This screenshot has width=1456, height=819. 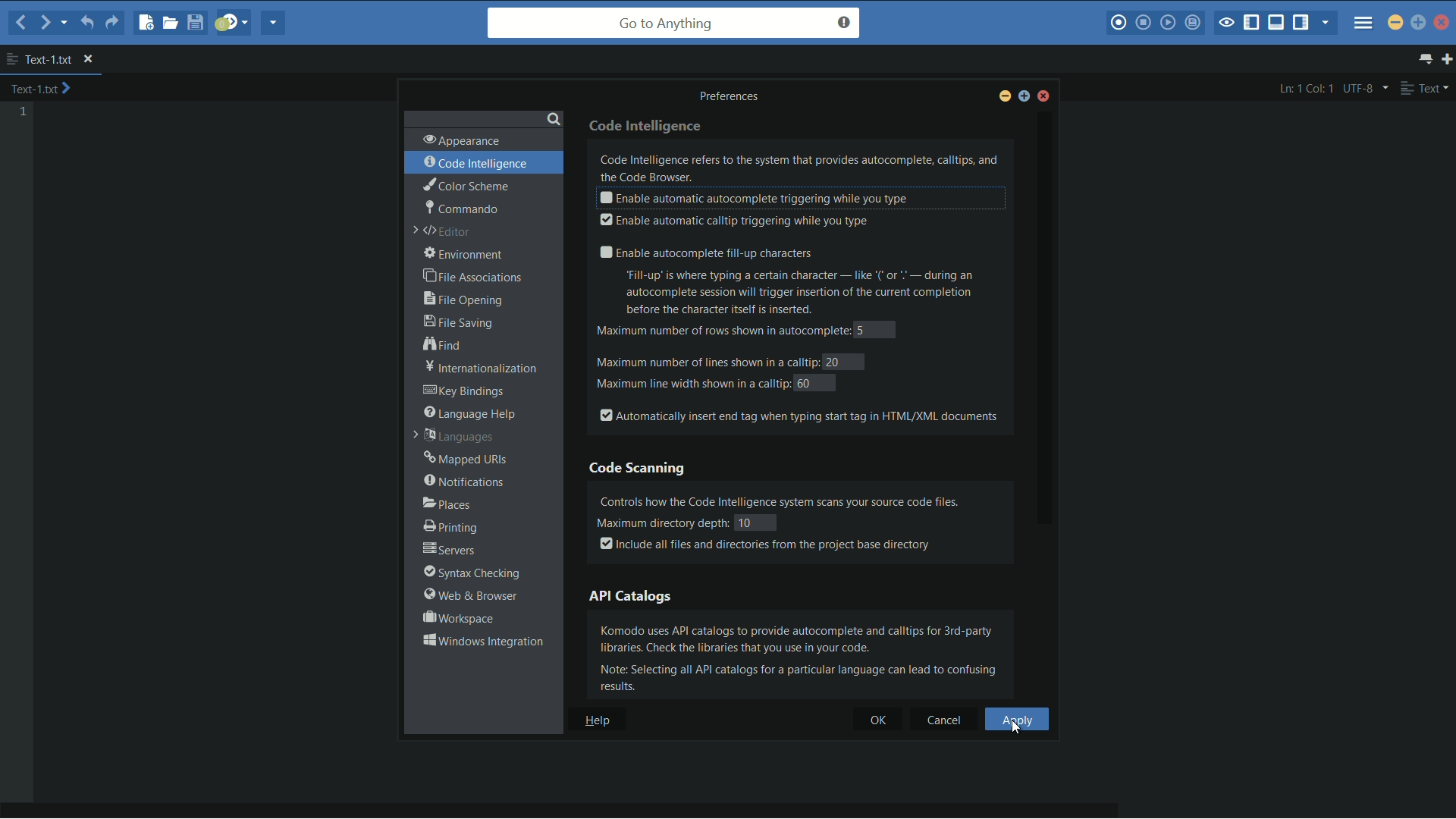 What do you see at coordinates (483, 117) in the screenshot?
I see `search bar` at bounding box center [483, 117].